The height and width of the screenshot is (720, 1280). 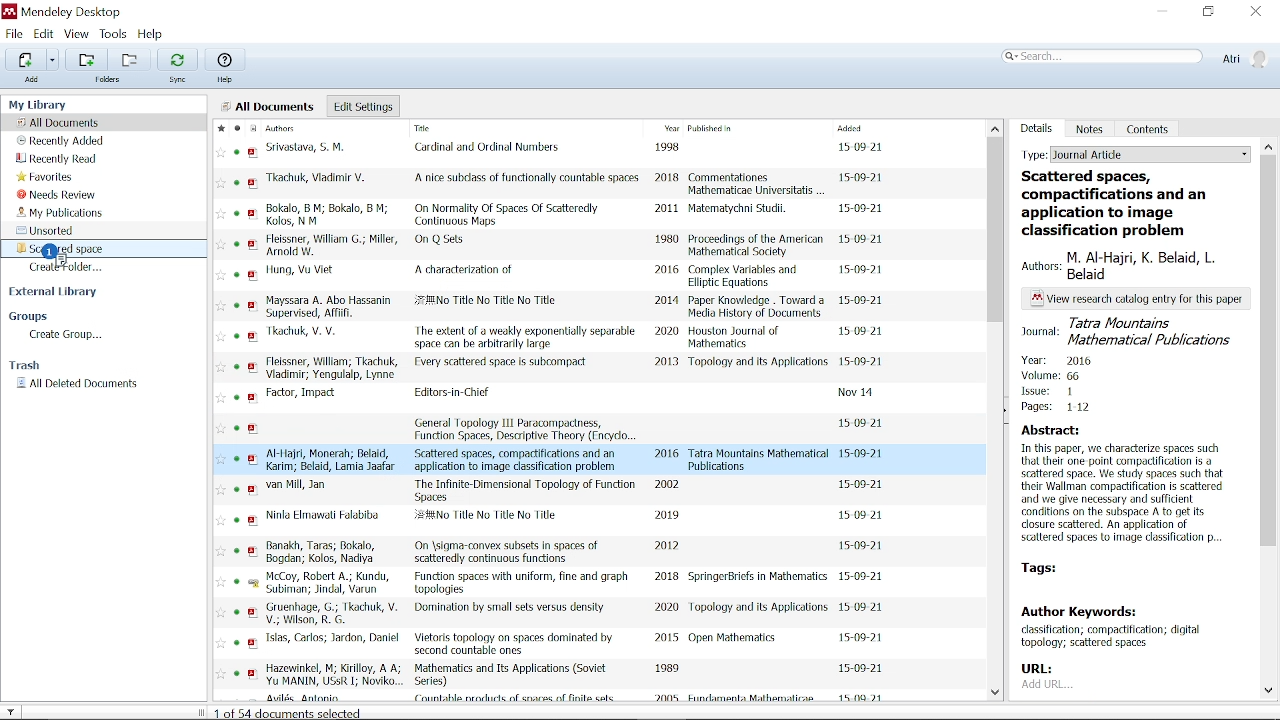 What do you see at coordinates (58, 253) in the screenshot?
I see `cursor` at bounding box center [58, 253].